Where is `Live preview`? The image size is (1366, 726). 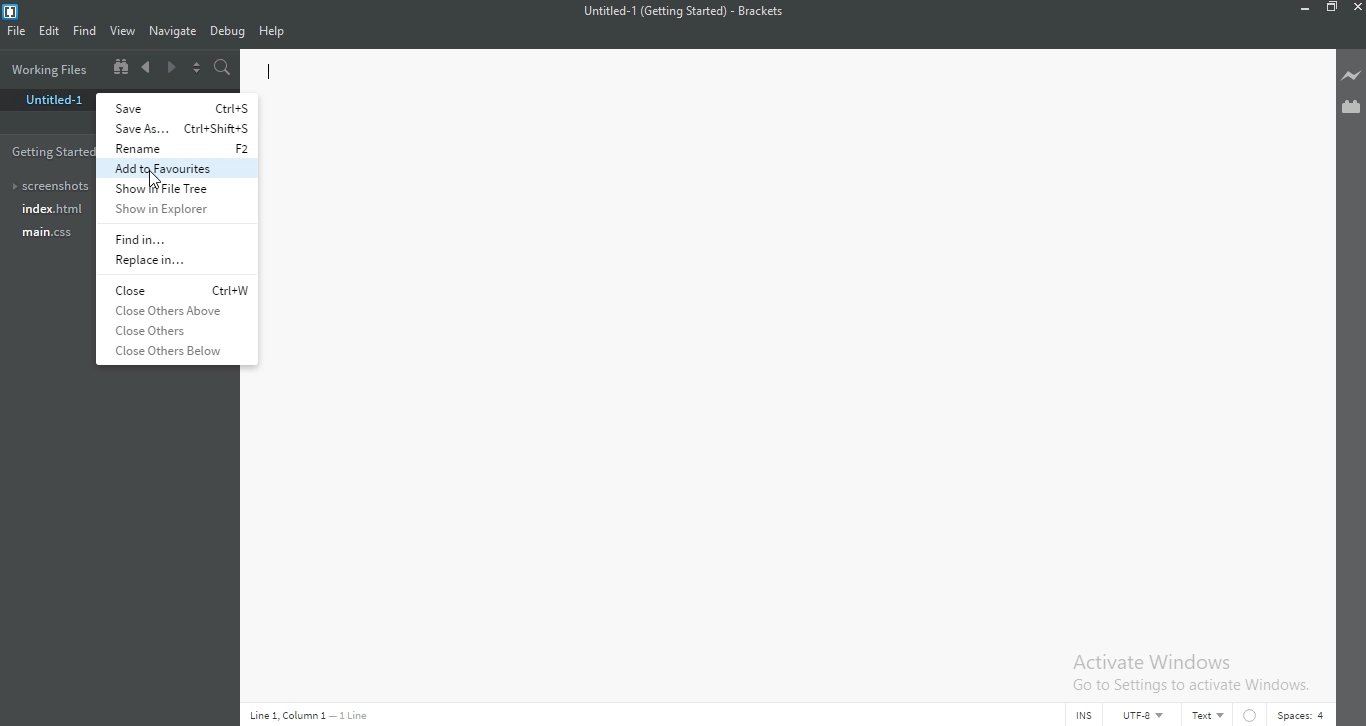 Live preview is located at coordinates (1351, 77).